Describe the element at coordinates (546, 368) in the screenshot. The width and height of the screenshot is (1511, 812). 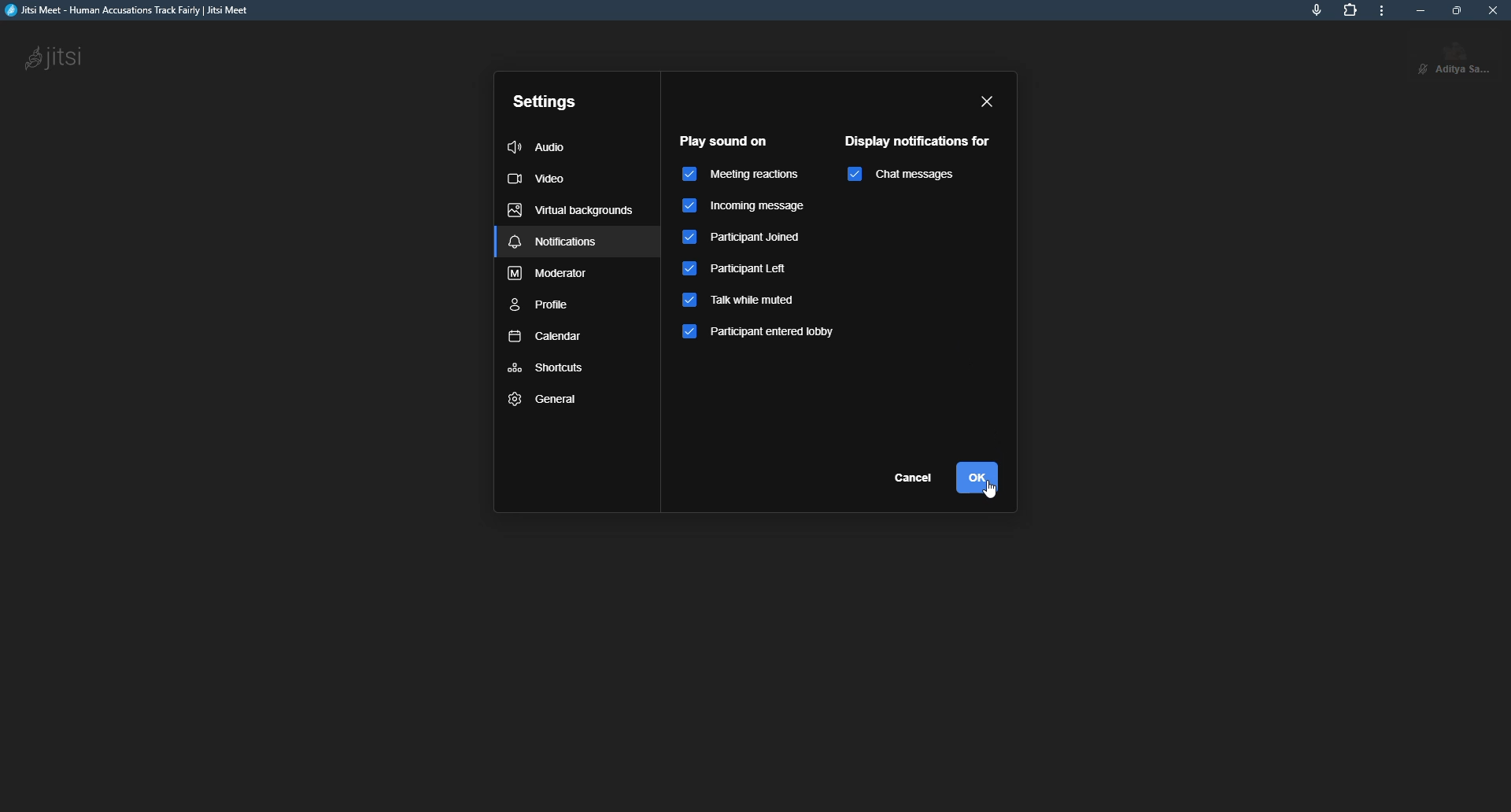
I see `shortcuts` at that location.